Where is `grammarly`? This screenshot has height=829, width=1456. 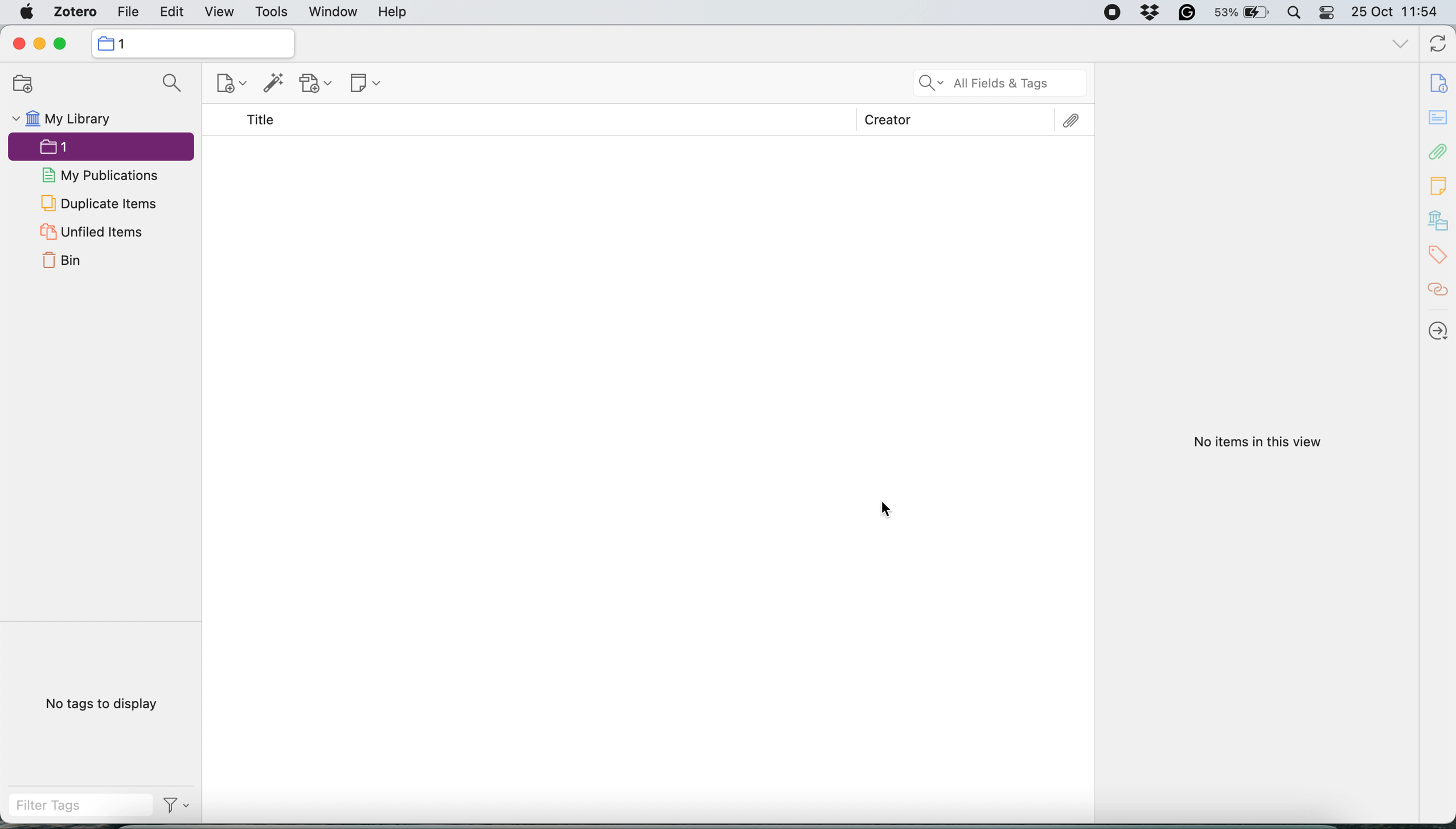 grammarly is located at coordinates (1187, 13).